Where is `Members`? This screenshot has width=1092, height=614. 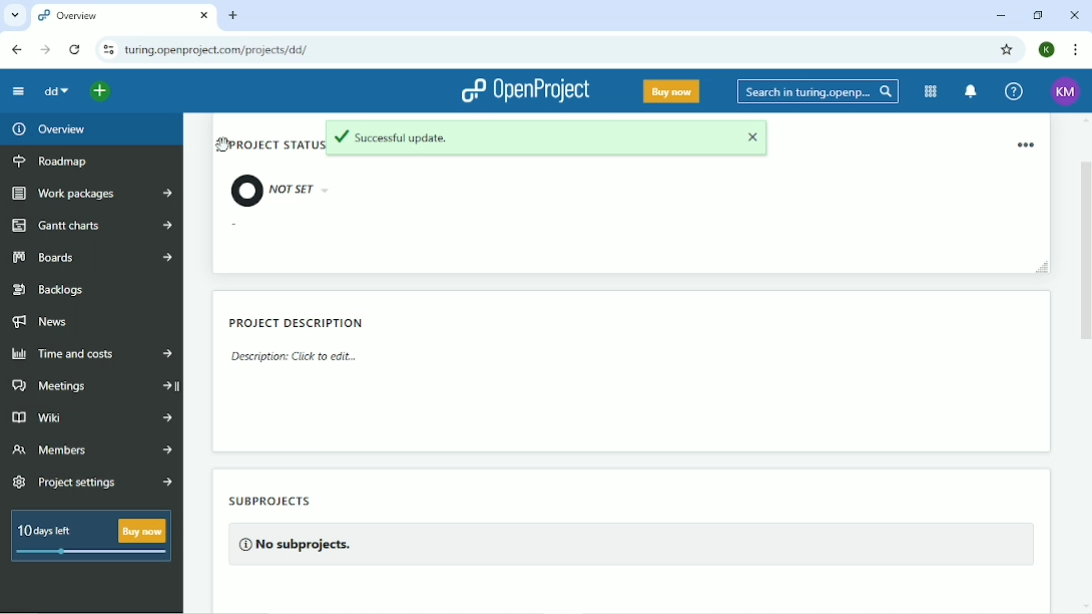 Members is located at coordinates (92, 450).